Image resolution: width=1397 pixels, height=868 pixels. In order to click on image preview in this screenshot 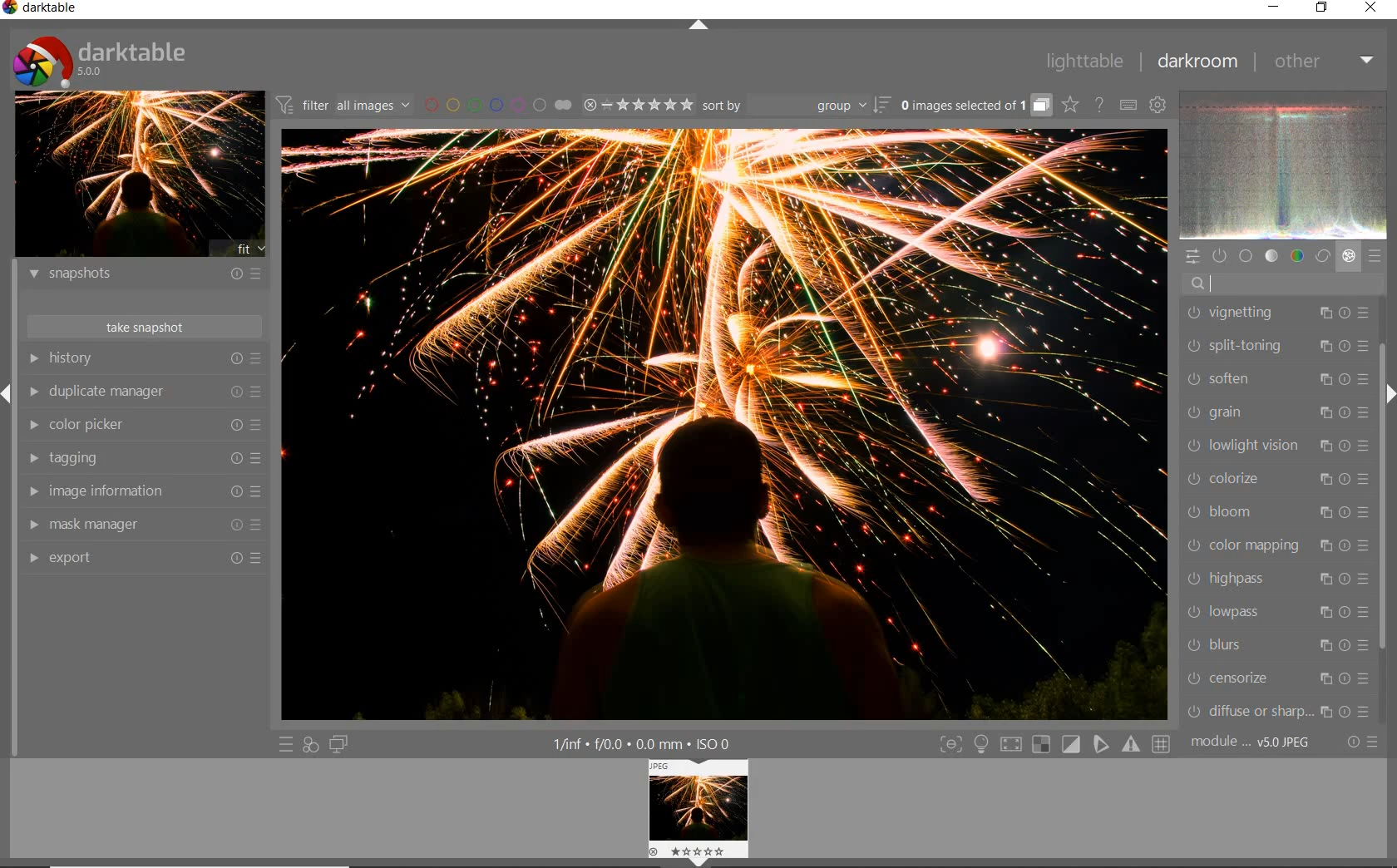, I will do `click(139, 175)`.